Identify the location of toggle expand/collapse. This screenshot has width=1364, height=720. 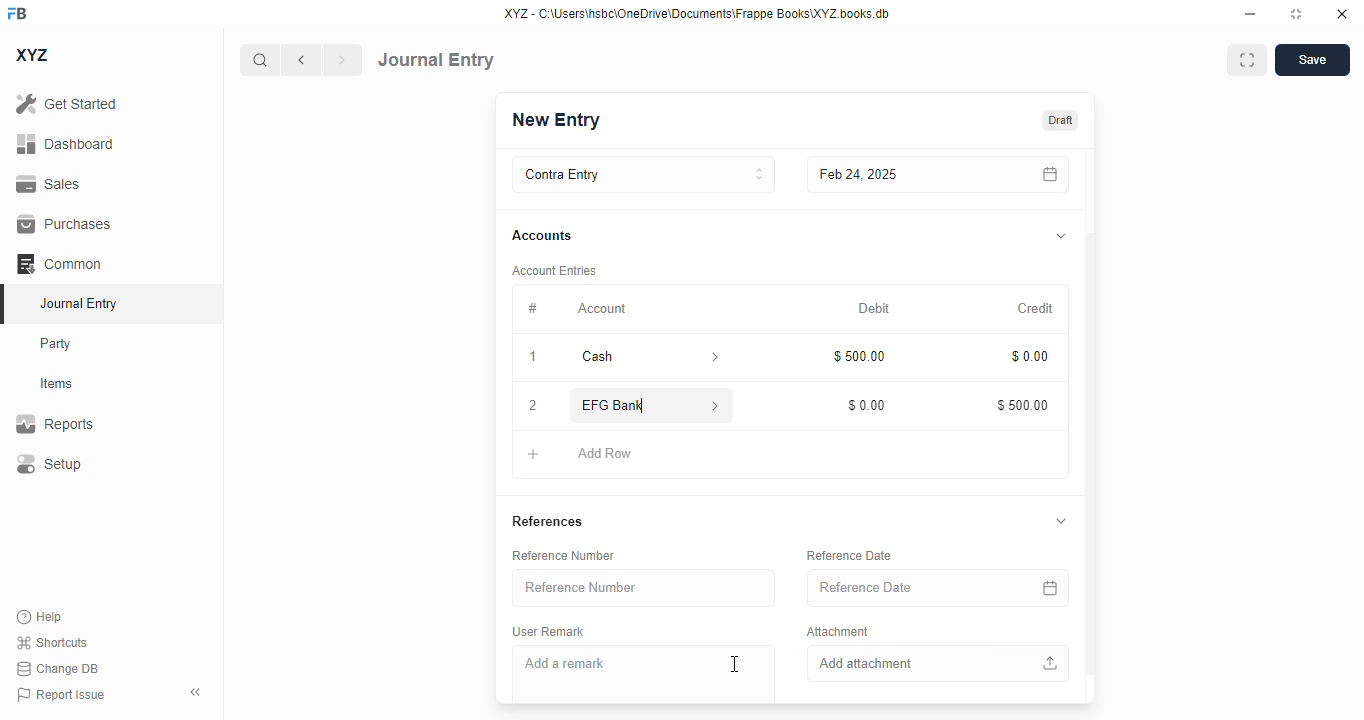
(1062, 522).